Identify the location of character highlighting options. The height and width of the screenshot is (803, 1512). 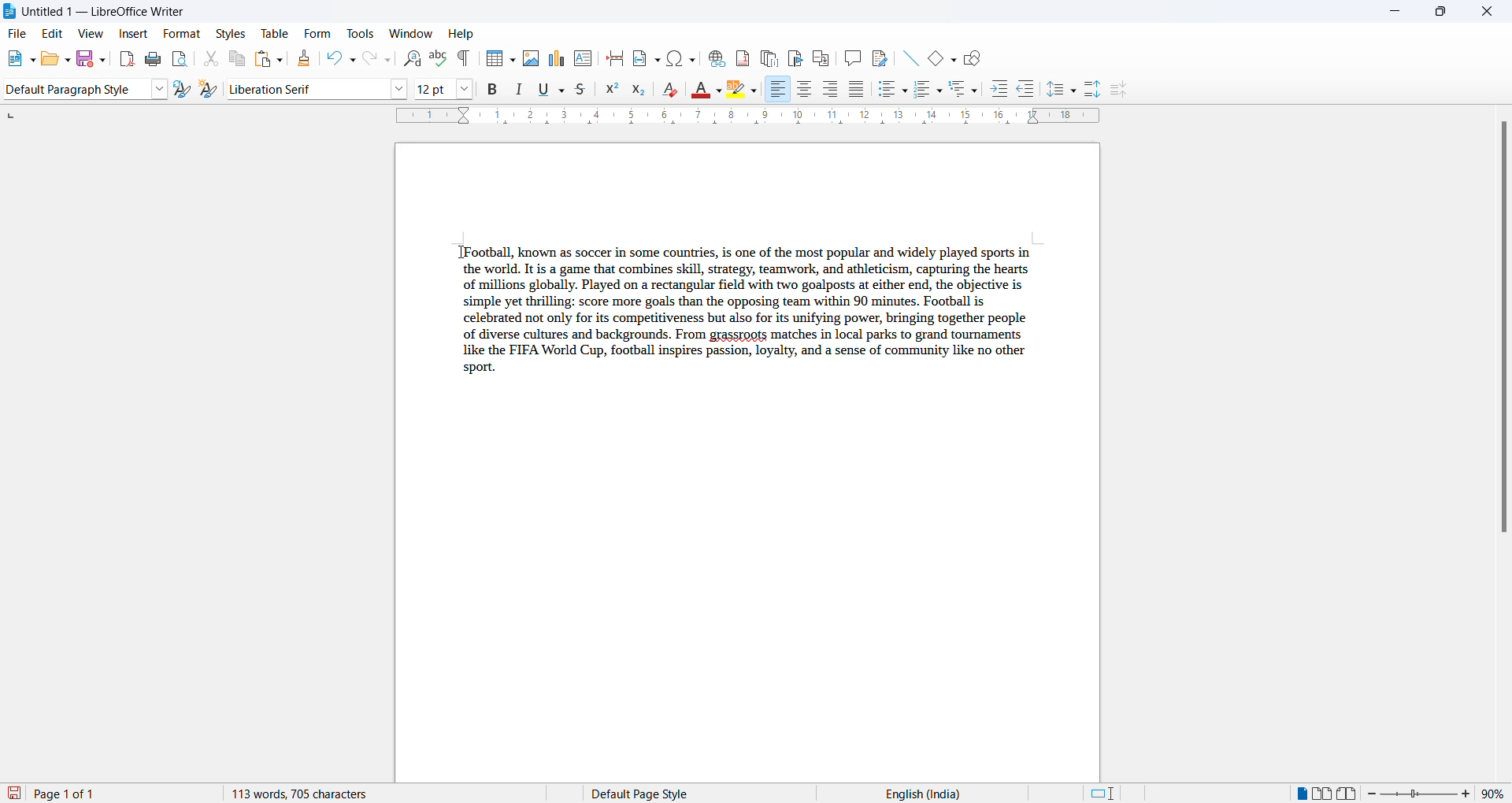
(757, 89).